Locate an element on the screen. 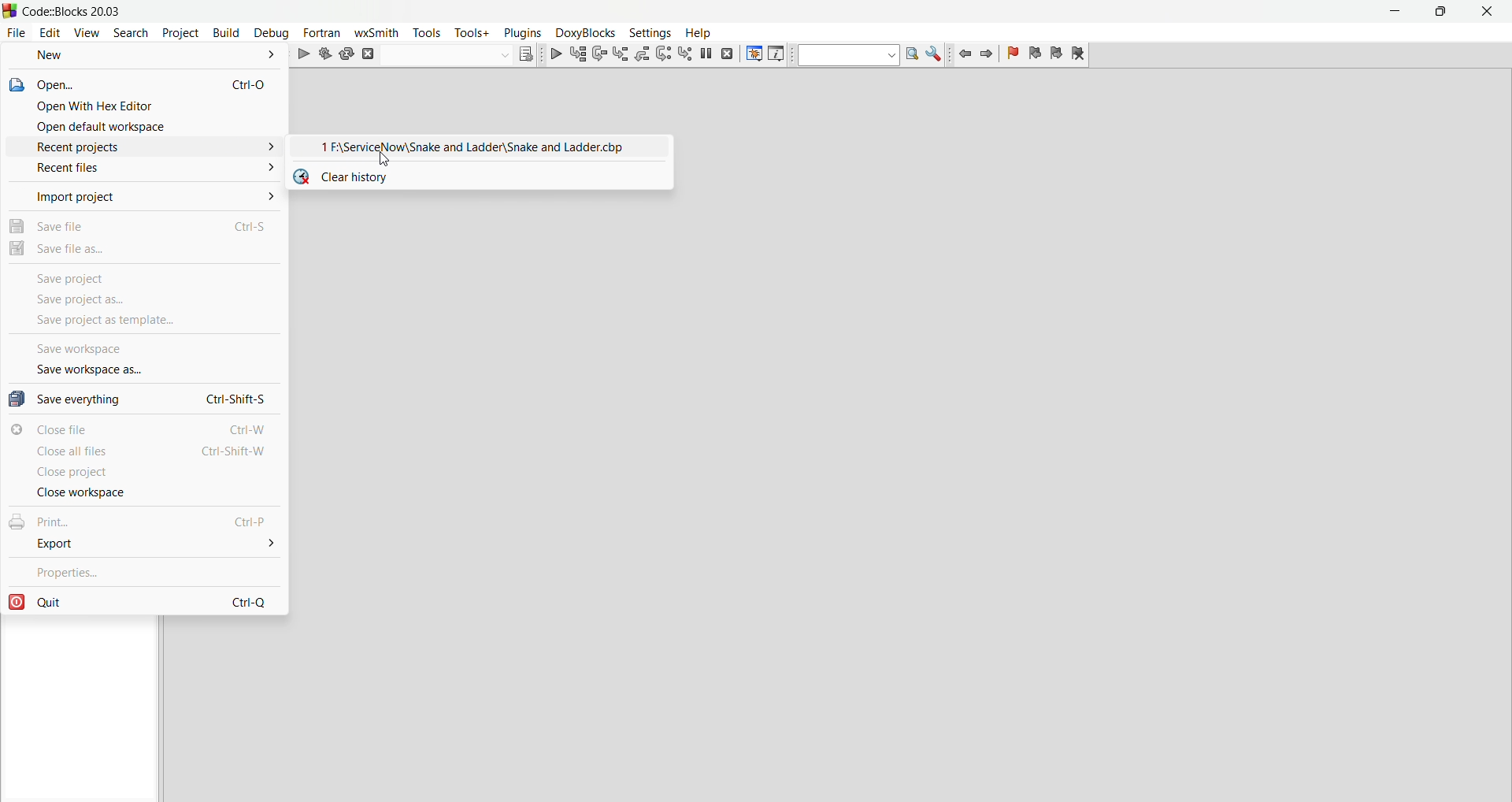  save file as is located at coordinates (145, 249).